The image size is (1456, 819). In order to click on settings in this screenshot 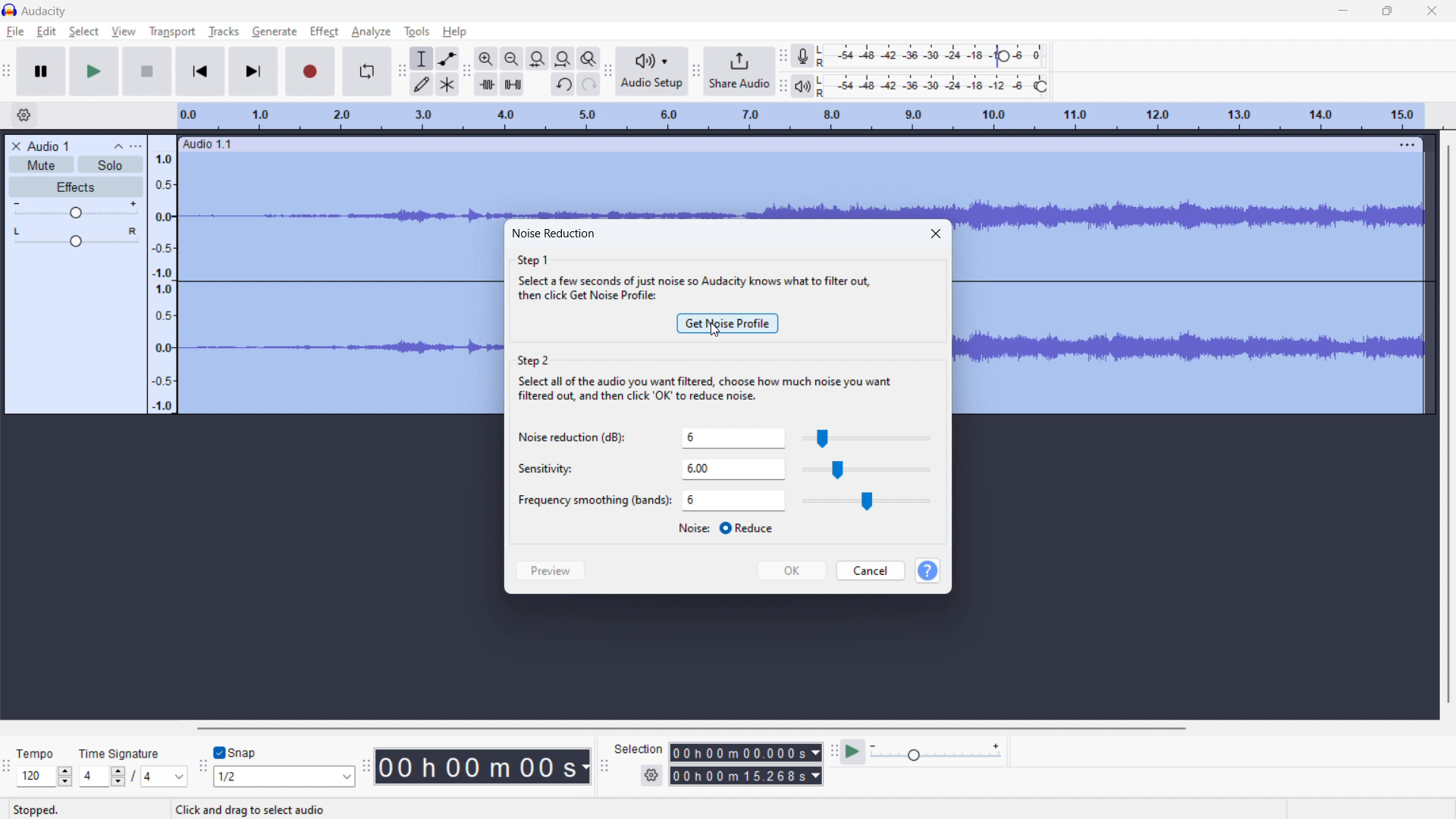, I will do `click(651, 776)`.